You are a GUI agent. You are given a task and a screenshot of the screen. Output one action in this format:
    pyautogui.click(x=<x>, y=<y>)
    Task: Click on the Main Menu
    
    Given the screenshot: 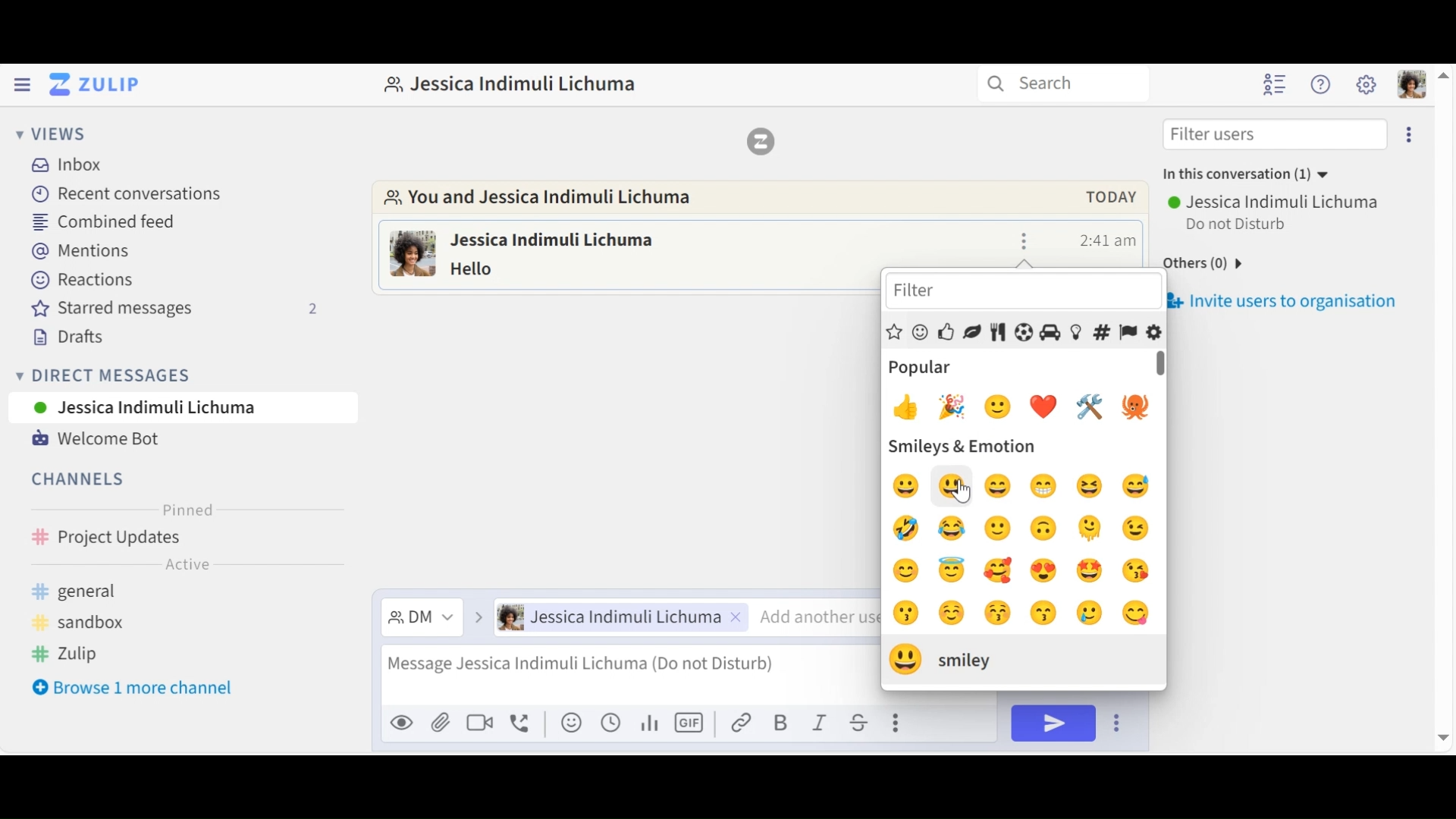 What is the action you would take?
    pyautogui.click(x=1366, y=84)
    